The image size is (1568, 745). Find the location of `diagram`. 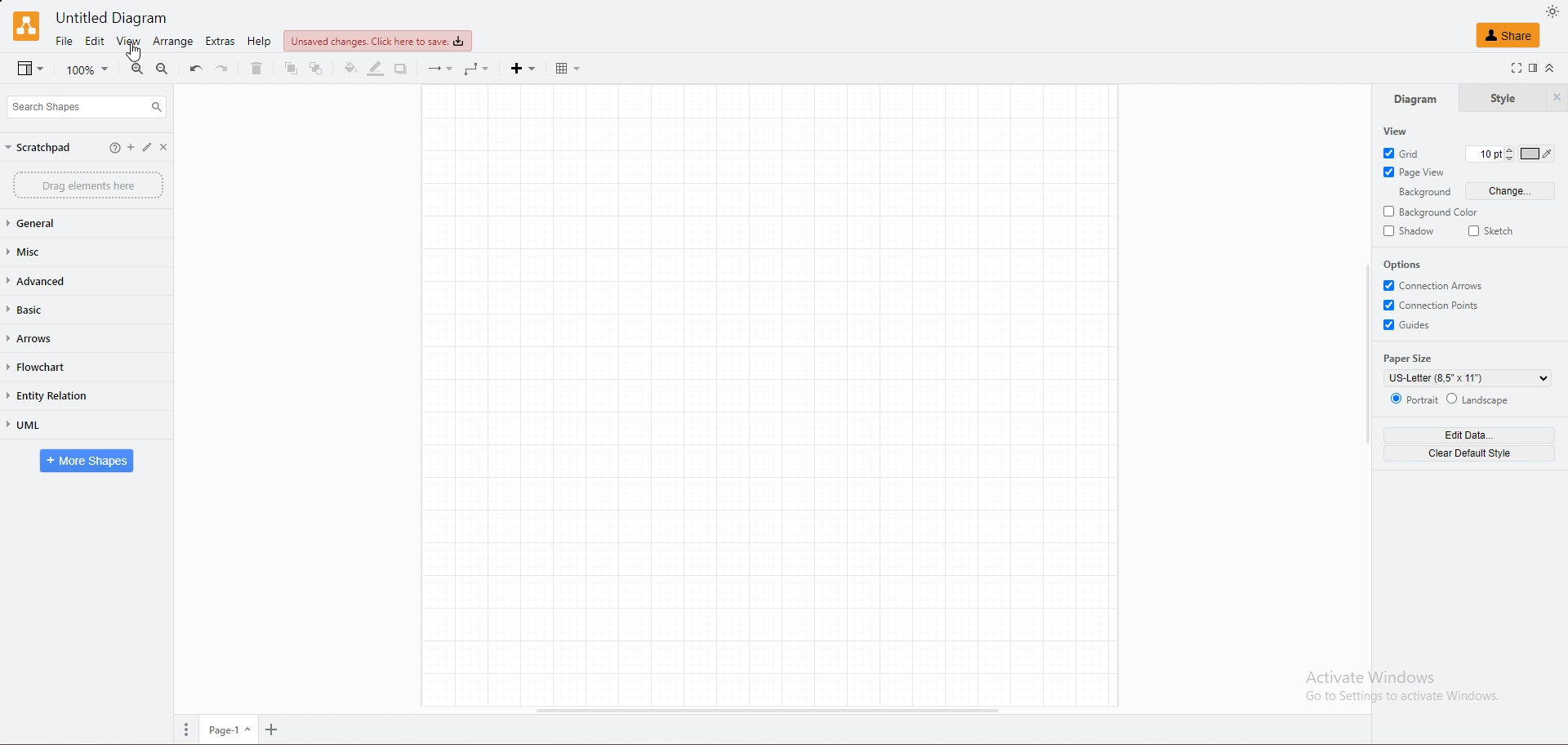

diagram is located at coordinates (1414, 98).